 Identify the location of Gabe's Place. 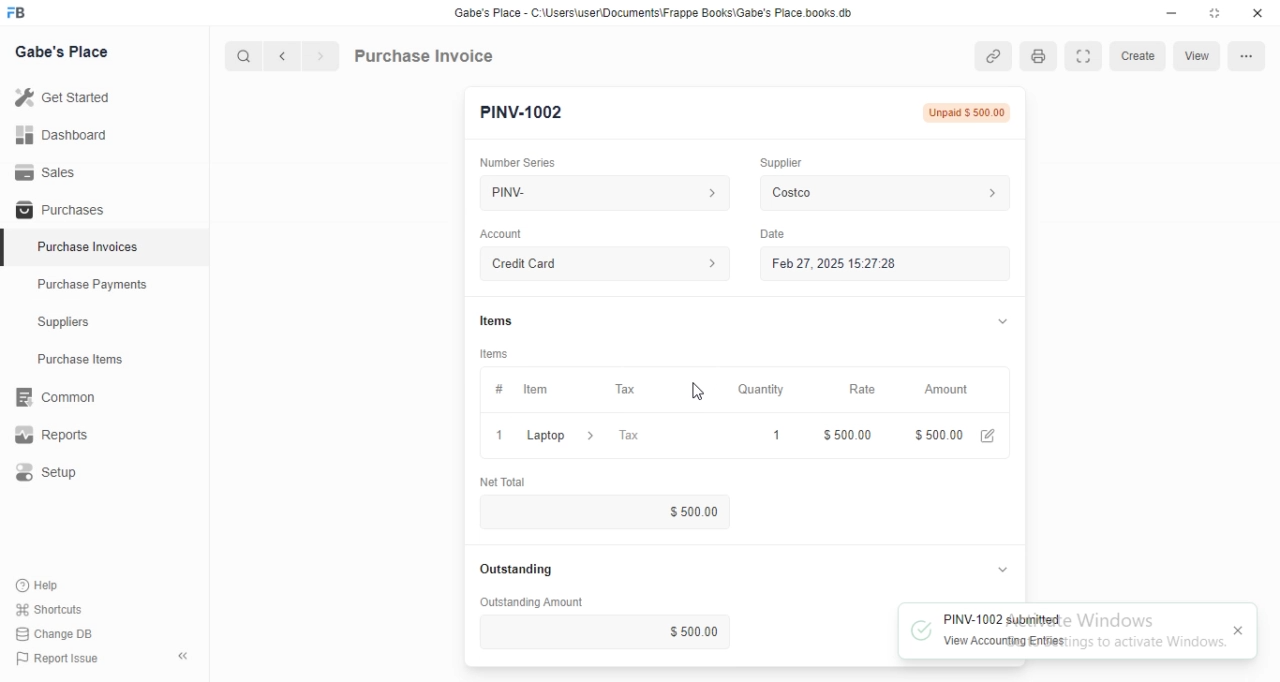
(61, 51).